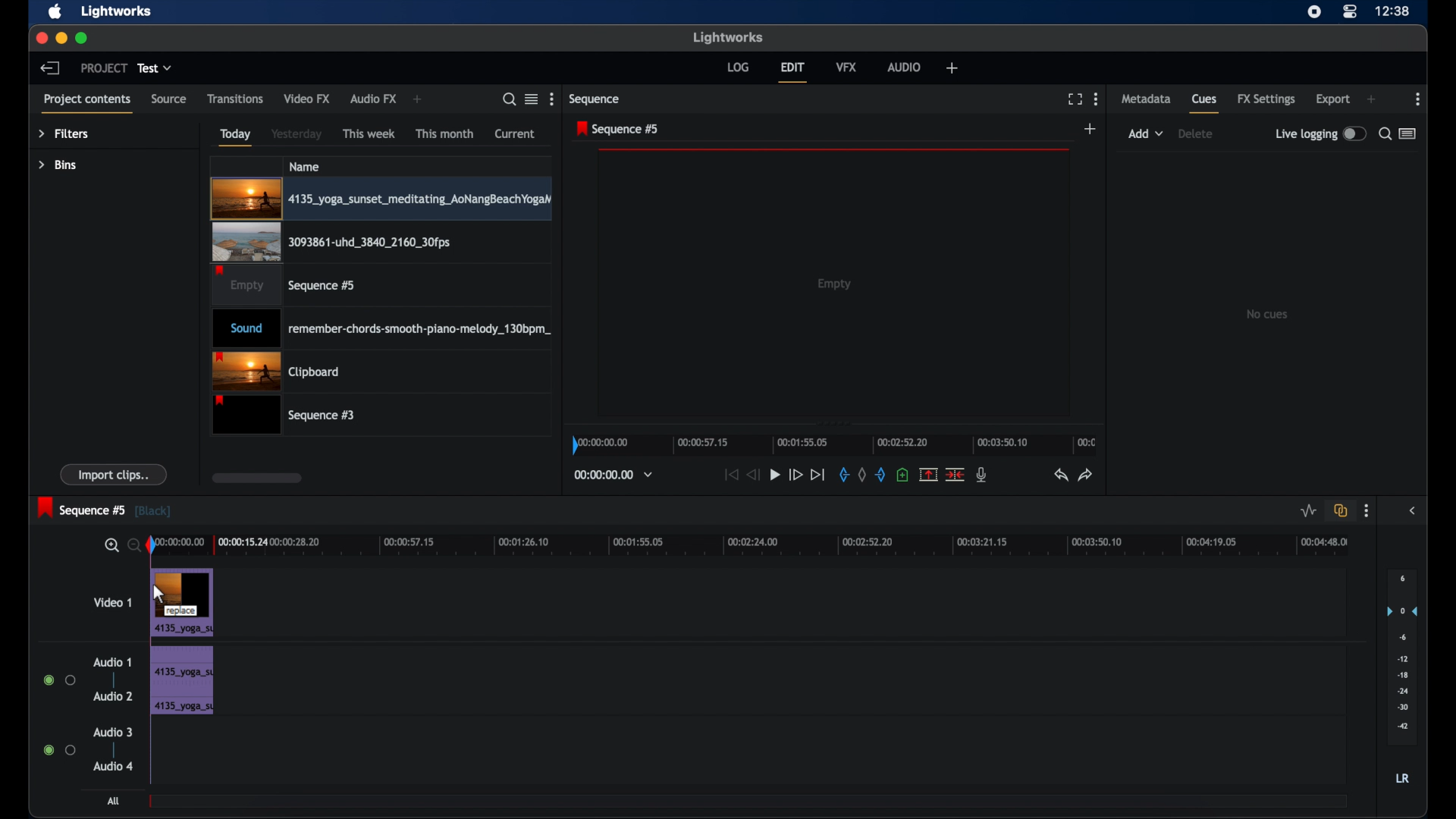  Describe the element at coordinates (86, 103) in the screenshot. I see `project contents` at that location.